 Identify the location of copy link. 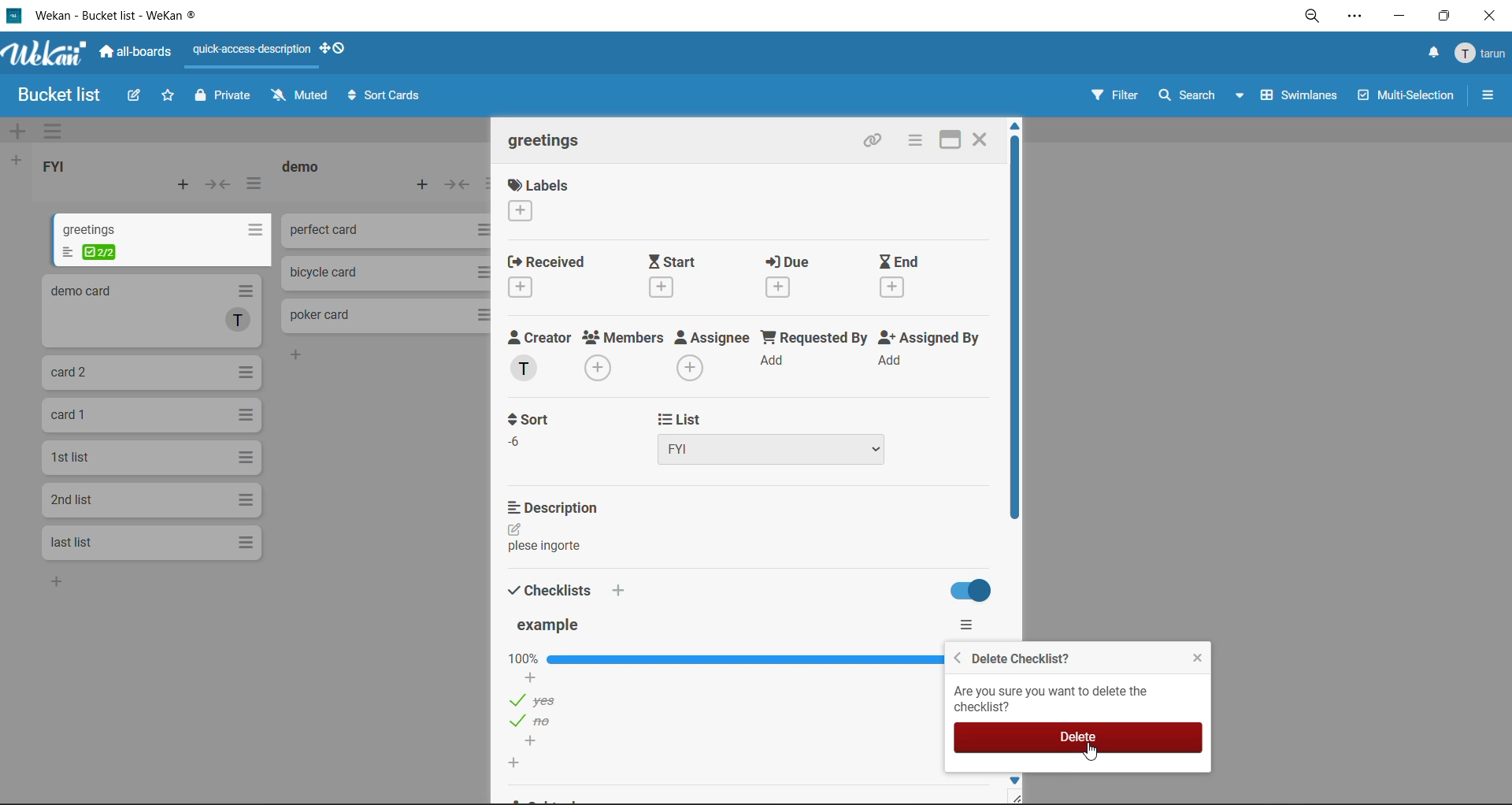
(877, 142).